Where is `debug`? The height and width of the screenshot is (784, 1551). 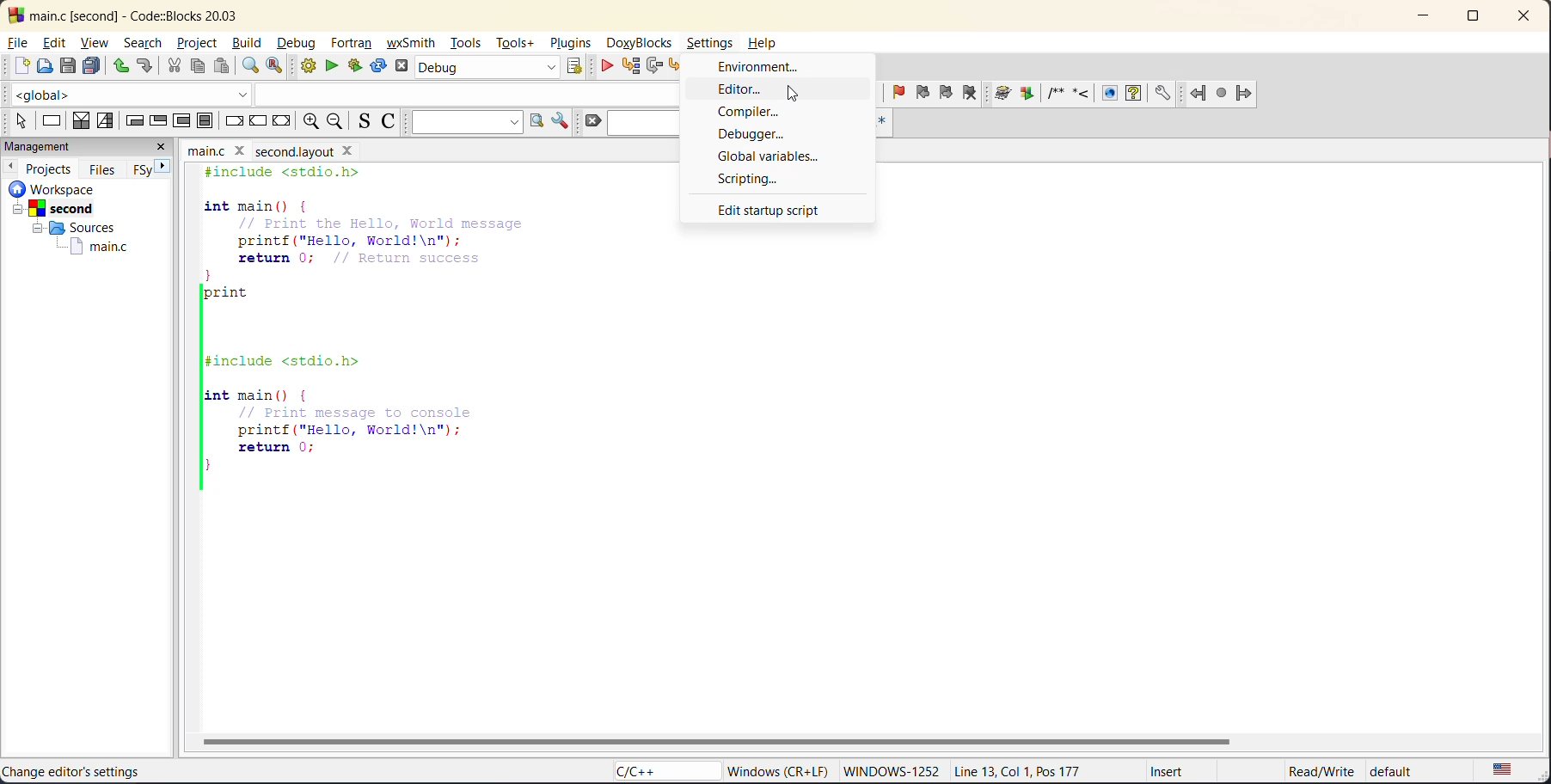 debug is located at coordinates (297, 44).